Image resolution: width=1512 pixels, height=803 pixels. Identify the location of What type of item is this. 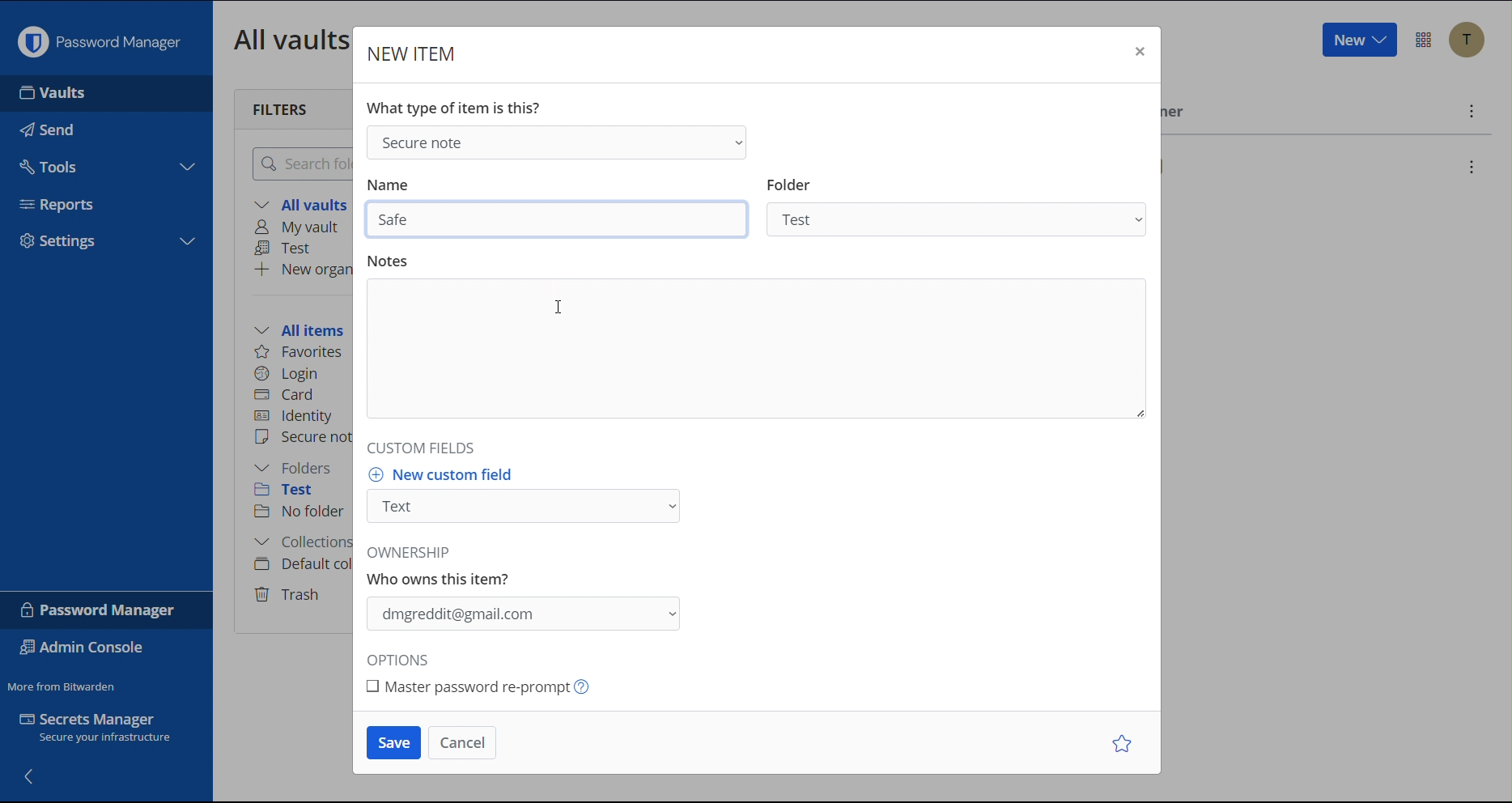
(452, 108).